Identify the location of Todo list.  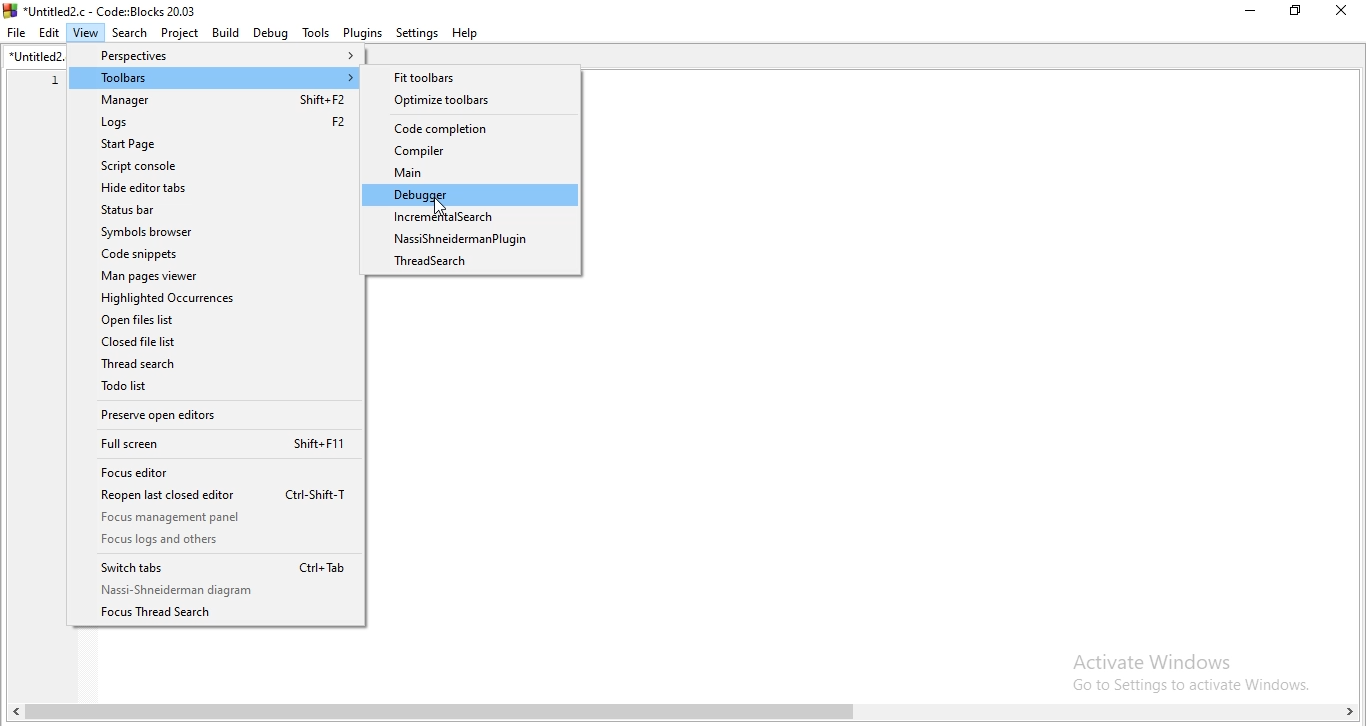
(211, 389).